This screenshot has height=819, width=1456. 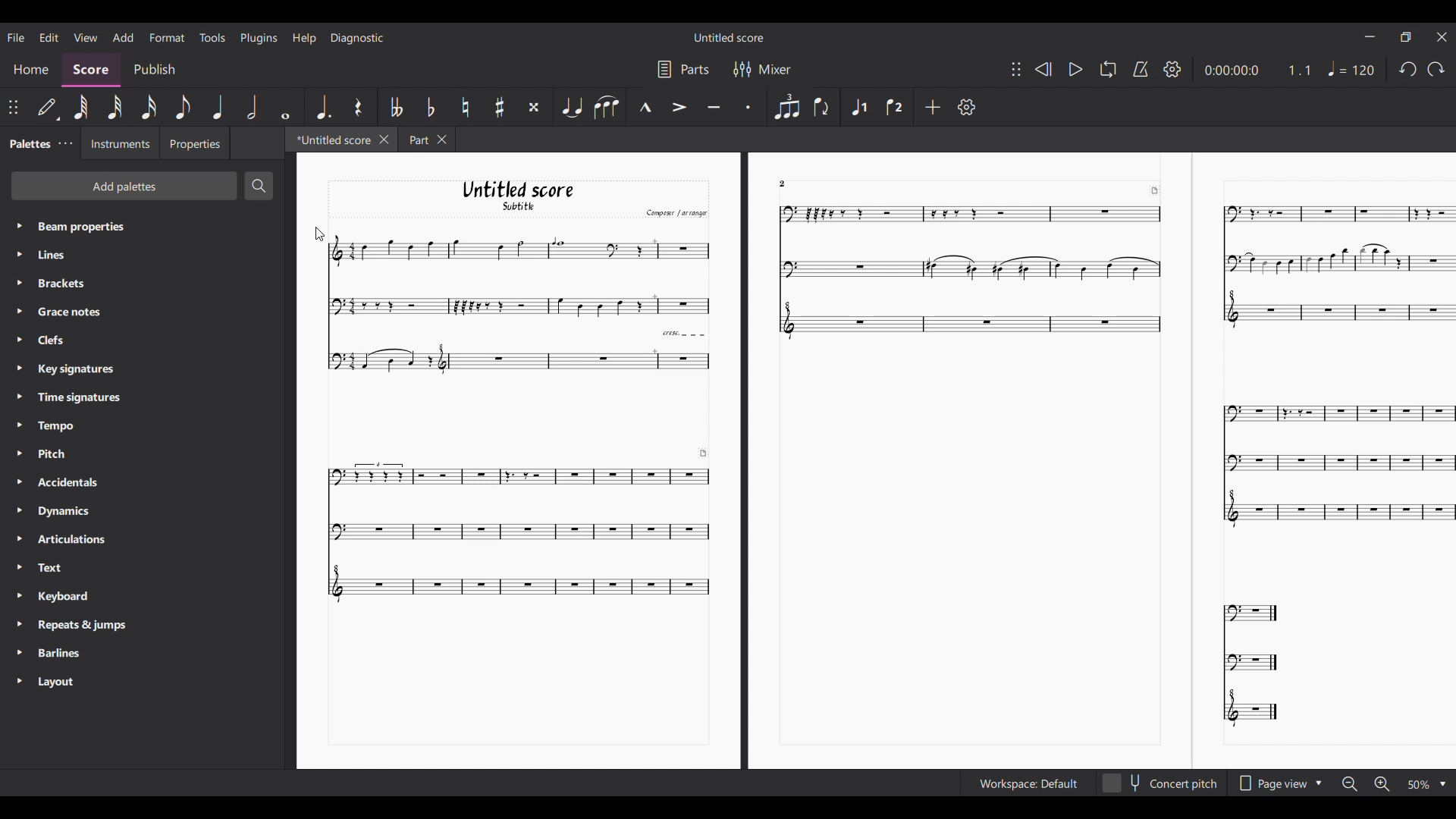 What do you see at coordinates (73, 598) in the screenshot?
I see `Keyboard` at bounding box center [73, 598].